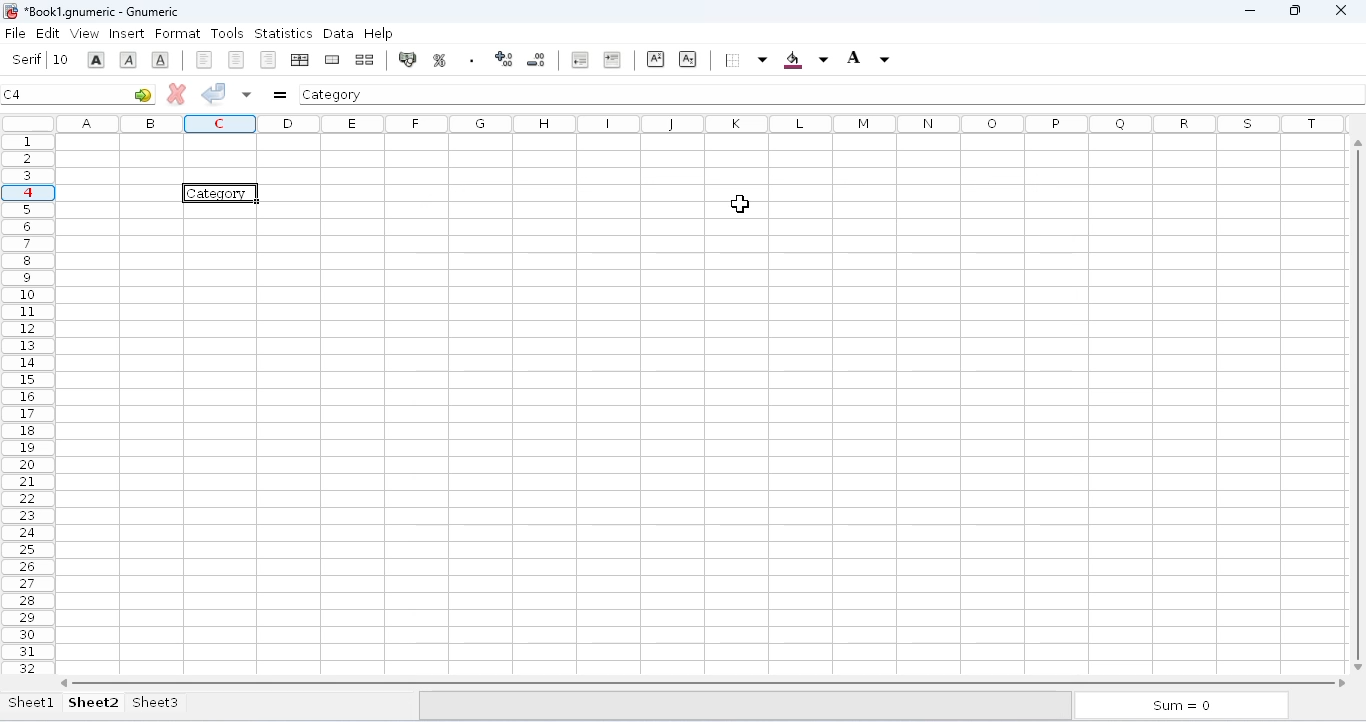 The height and width of the screenshot is (722, 1366). I want to click on statistics, so click(283, 34).